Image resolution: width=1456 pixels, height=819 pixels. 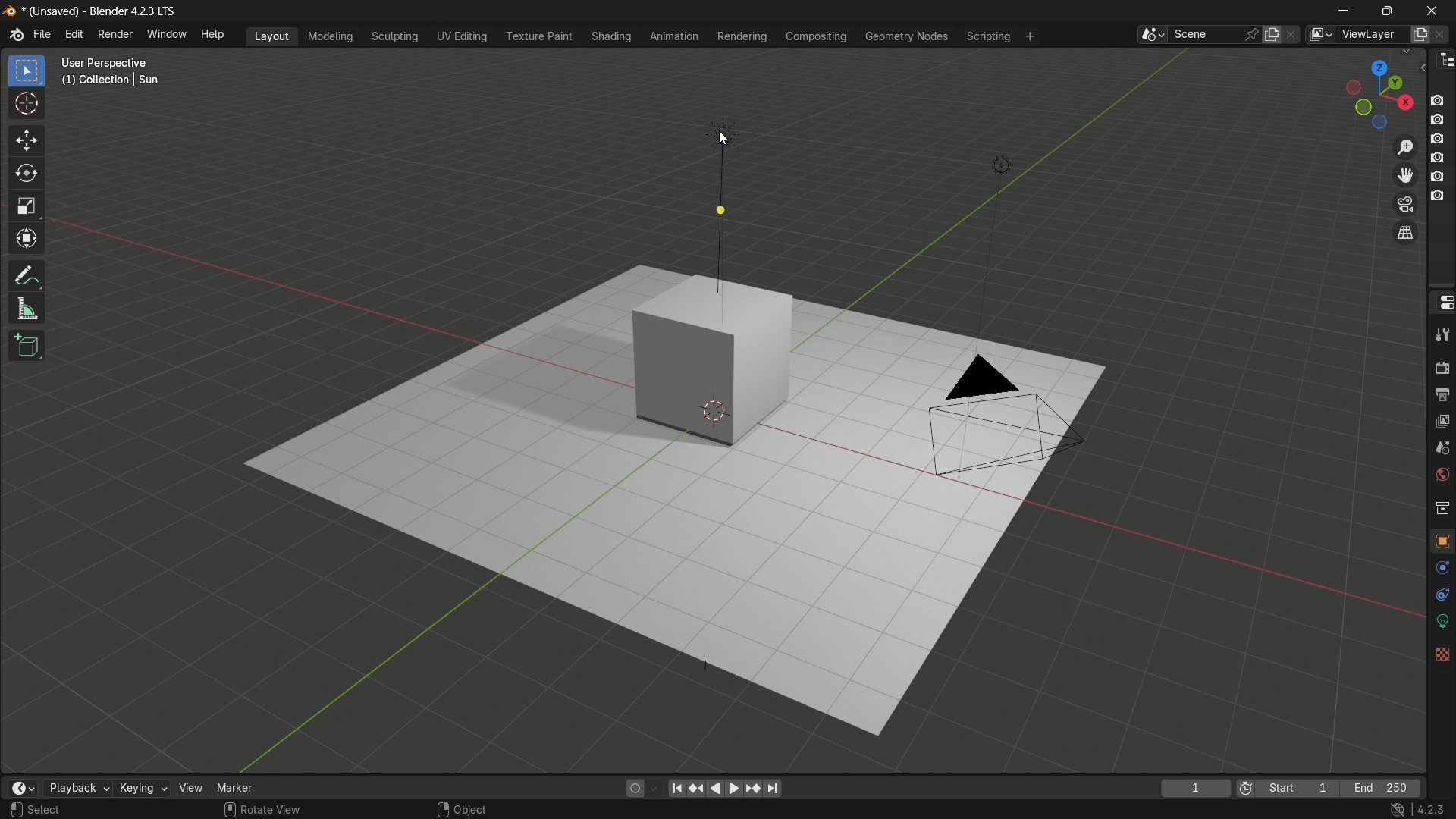 I want to click on marker, so click(x=239, y=787).